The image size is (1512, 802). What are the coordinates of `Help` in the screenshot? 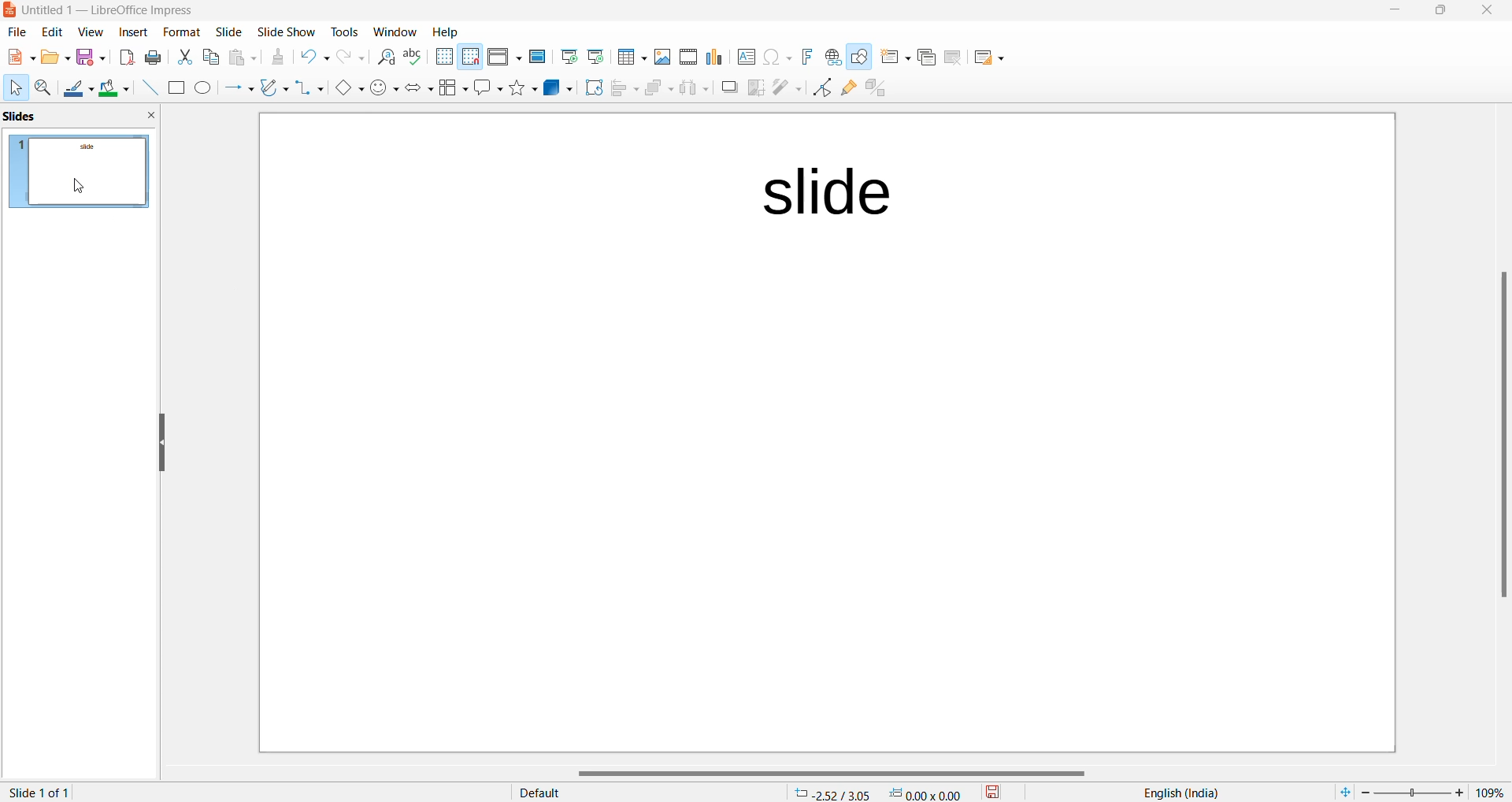 It's located at (447, 32).